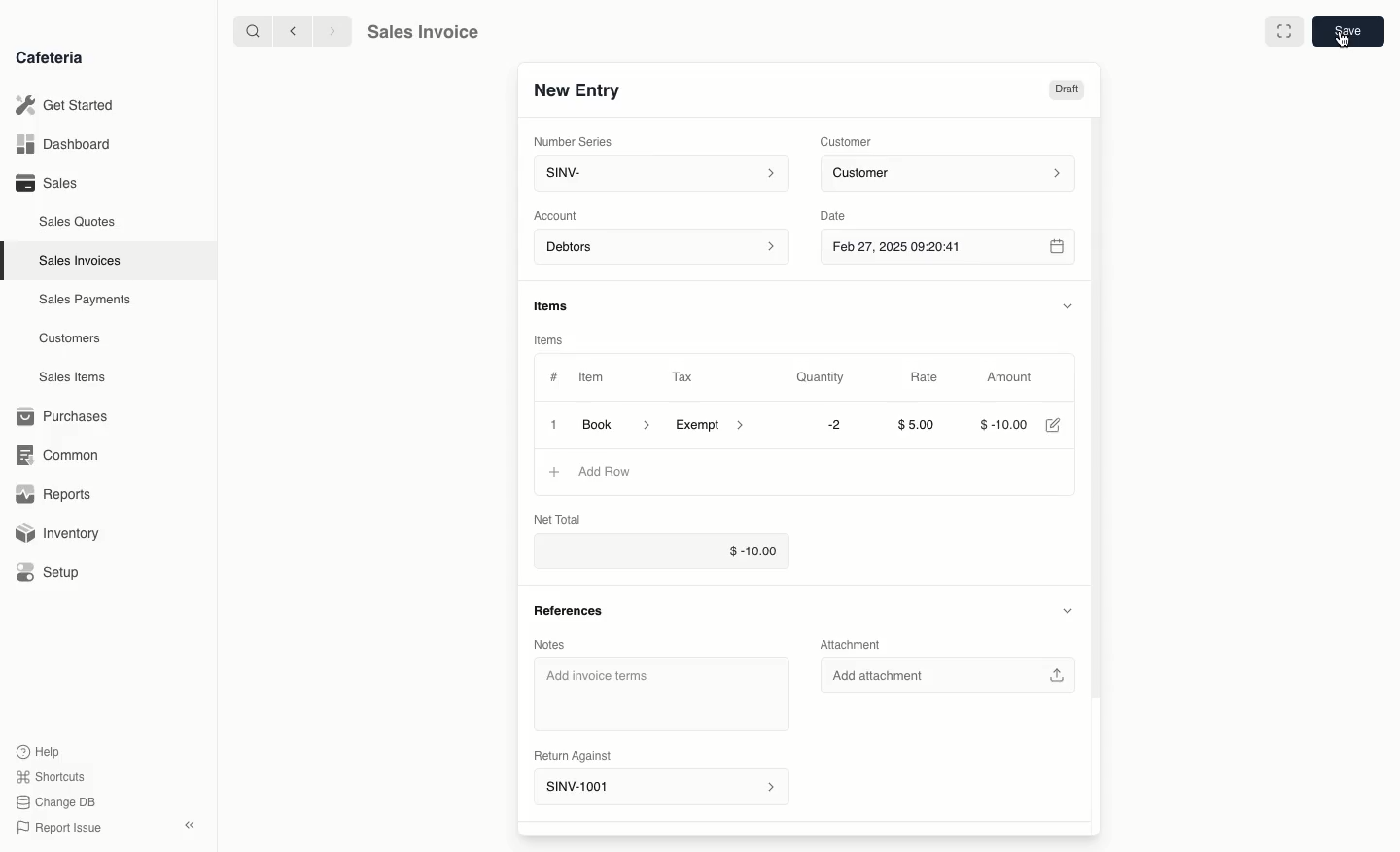 Image resolution: width=1400 pixels, height=852 pixels. What do you see at coordinates (660, 785) in the screenshot?
I see `SINV-1001` at bounding box center [660, 785].